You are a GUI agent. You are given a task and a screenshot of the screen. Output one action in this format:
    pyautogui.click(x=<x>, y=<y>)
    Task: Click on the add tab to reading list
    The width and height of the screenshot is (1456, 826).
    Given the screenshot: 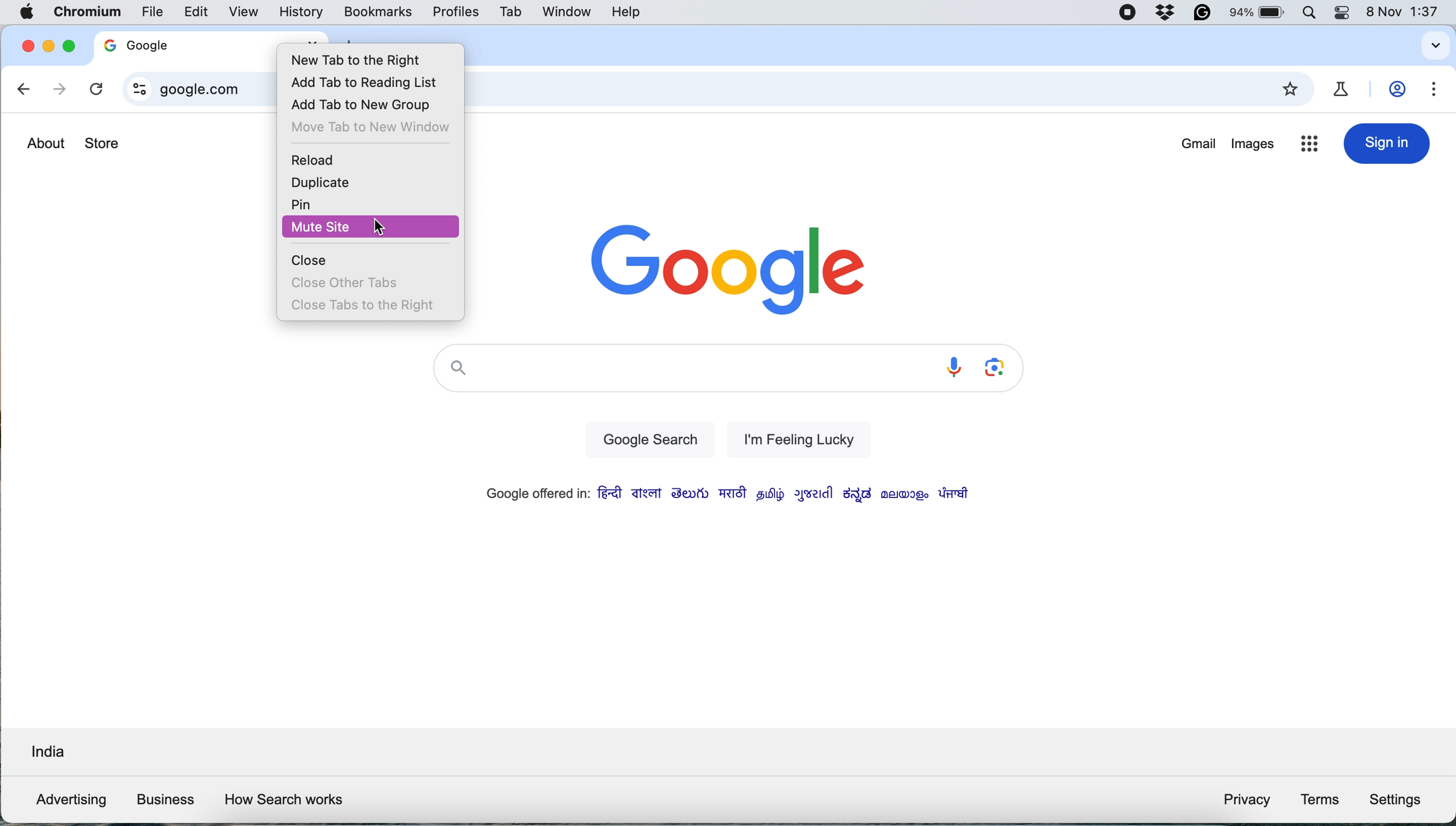 What is the action you would take?
    pyautogui.click(x=372, y=81)
    